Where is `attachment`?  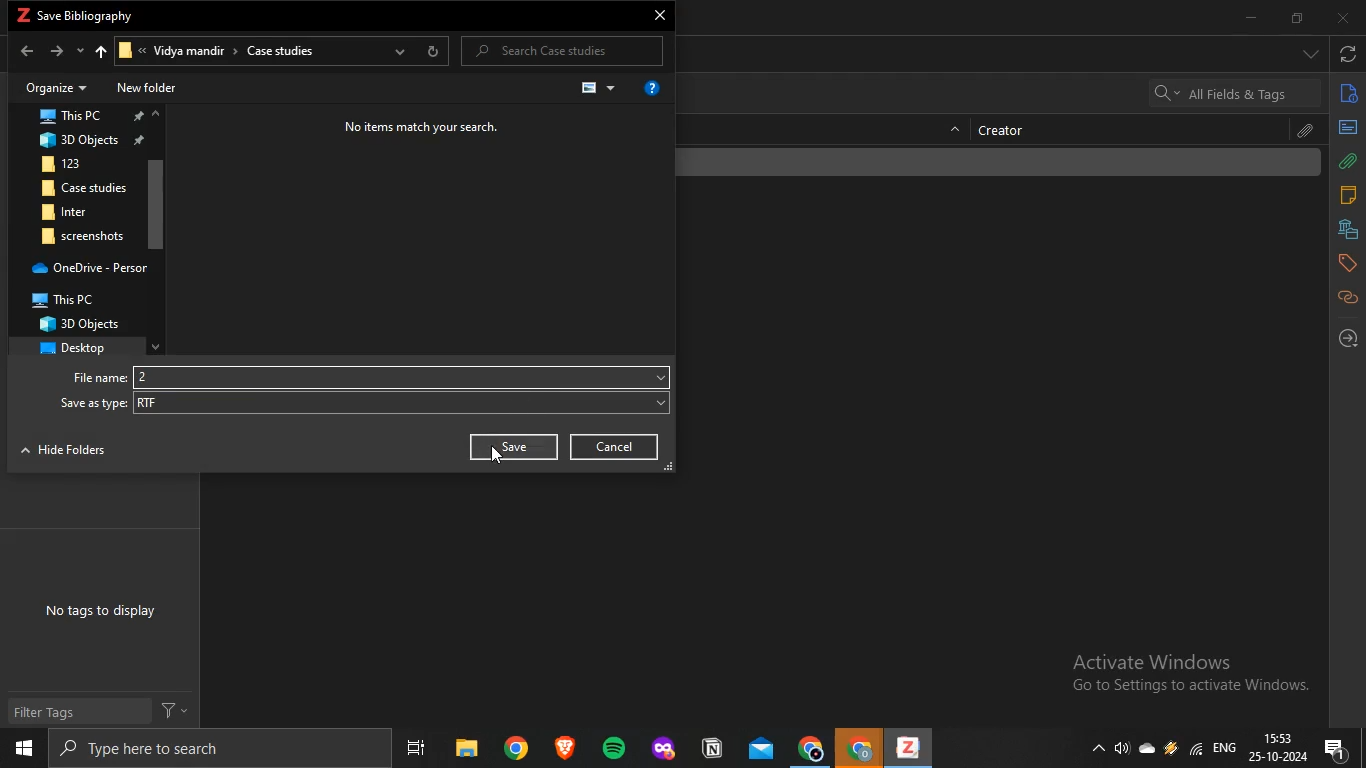
attachment is located at coordinates (1307, 131).